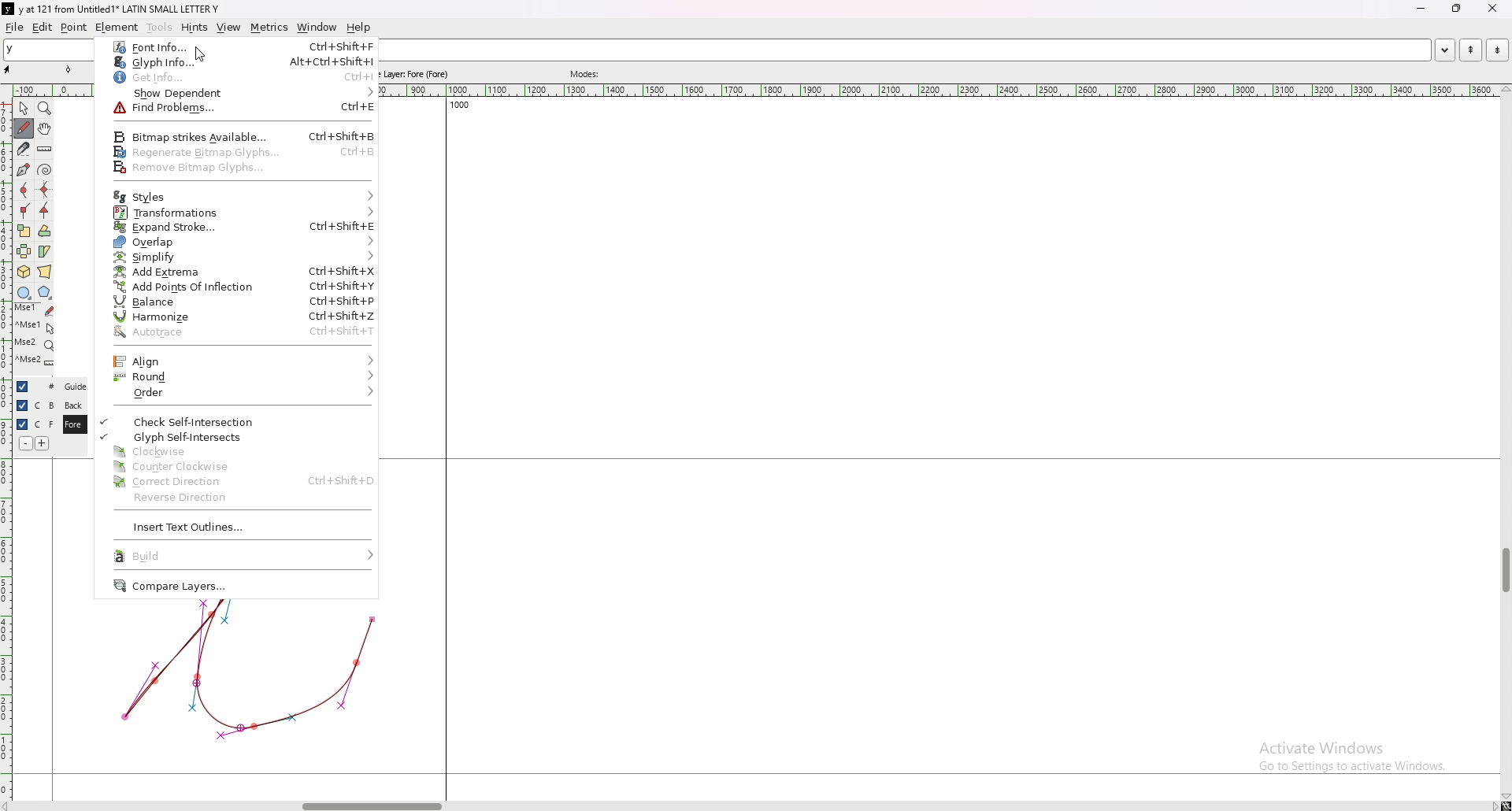 This screenshot has width=1512, height=811. I want to click on magnify, so click(45, 108).